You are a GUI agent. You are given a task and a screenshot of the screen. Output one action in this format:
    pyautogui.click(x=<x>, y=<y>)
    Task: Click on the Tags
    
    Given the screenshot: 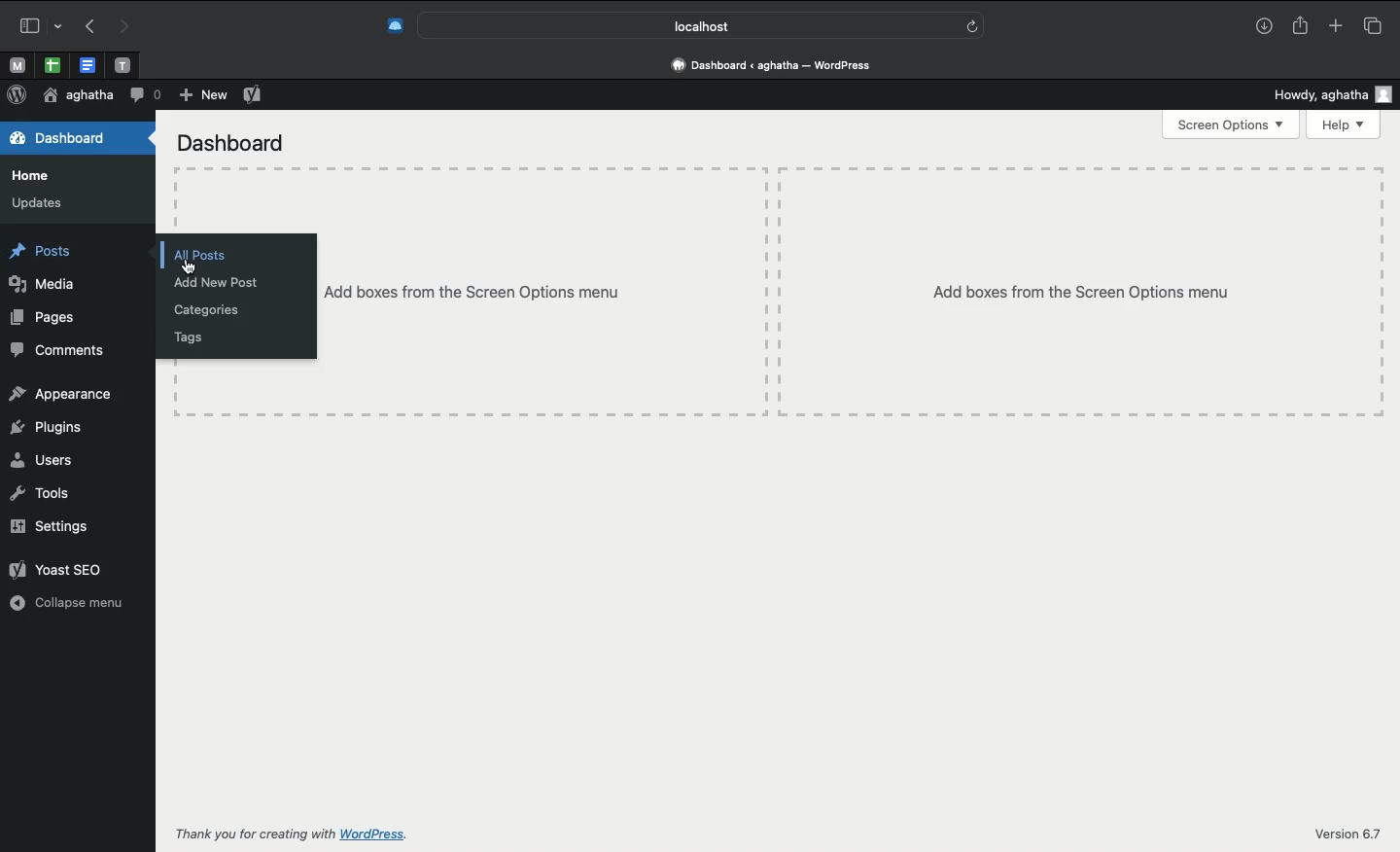 What is the action you would take?
    pyautogui.click(x=184, y=337)
    